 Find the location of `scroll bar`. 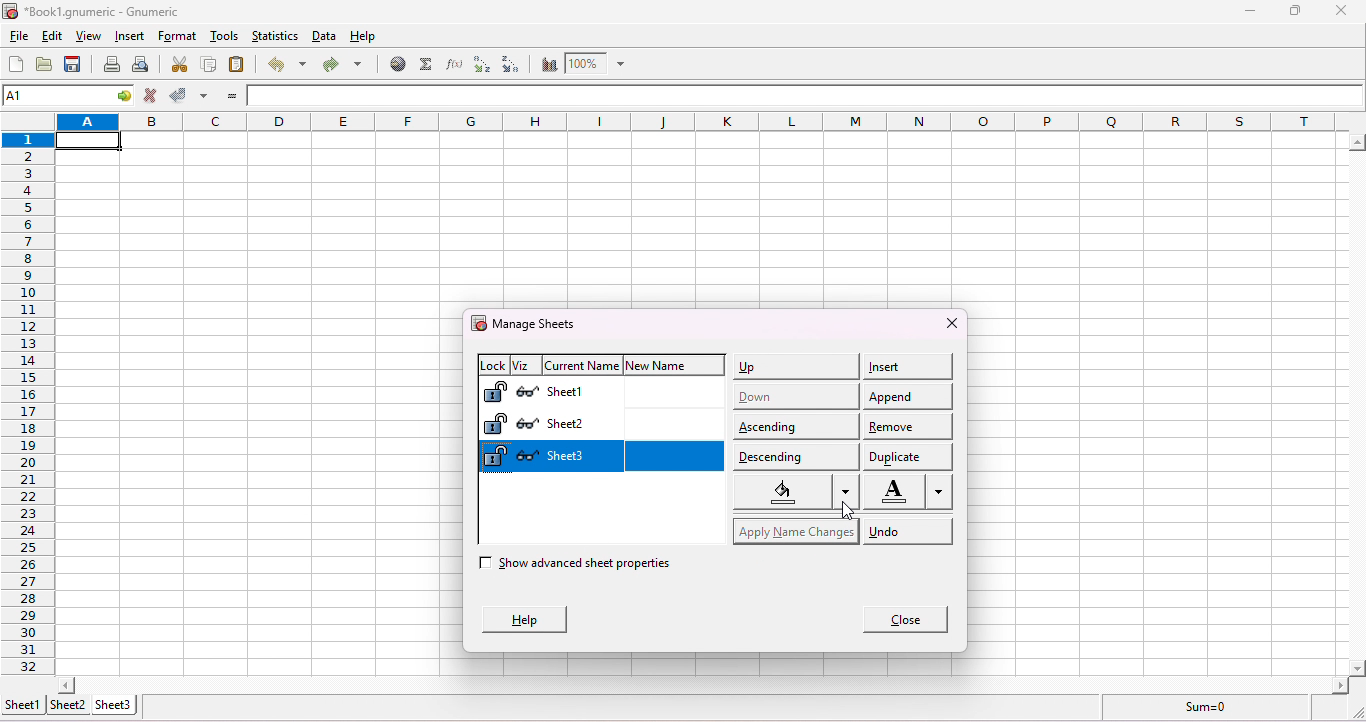

scroll bar is located at coordinates (706, 684).